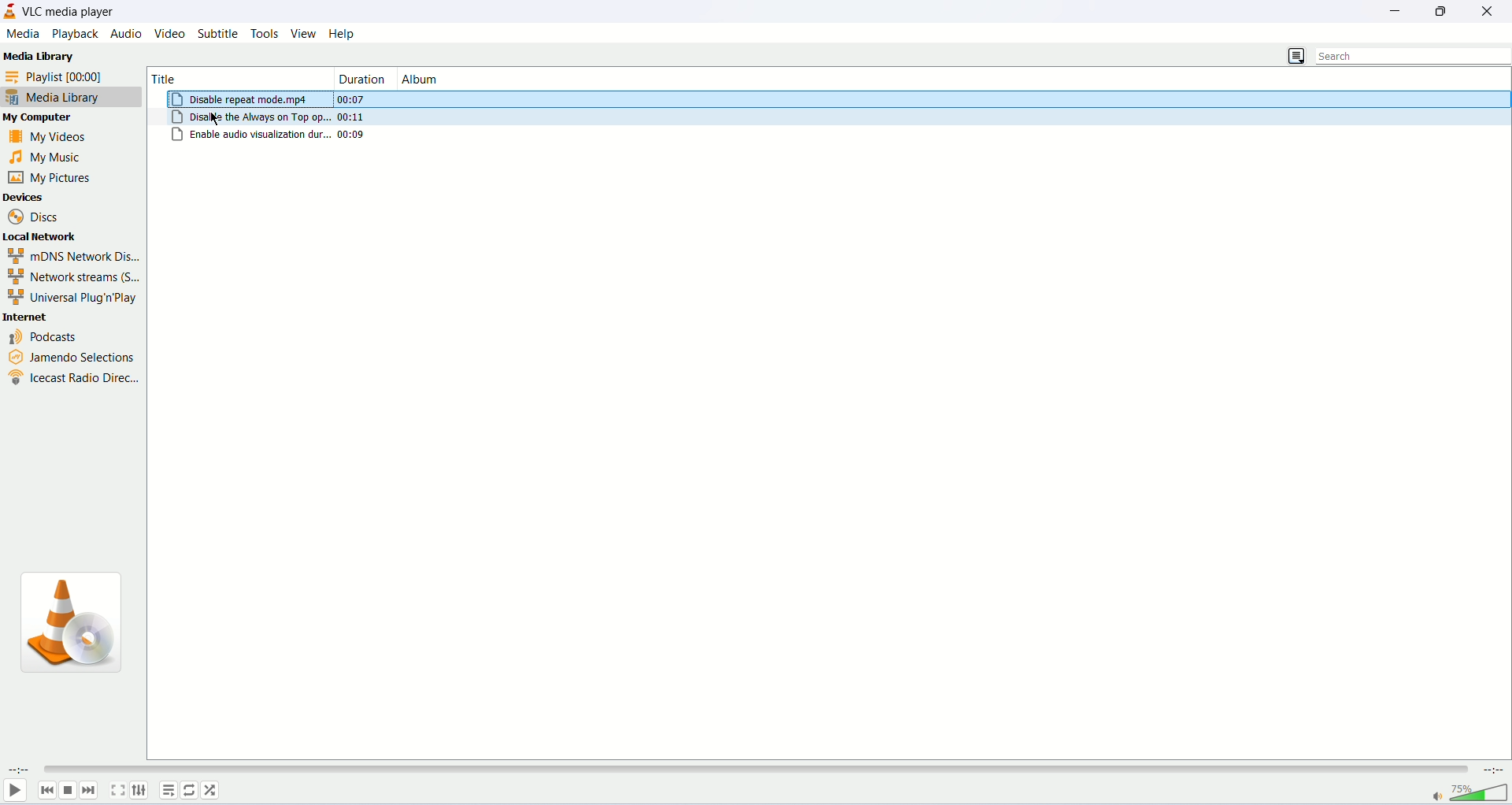 Image resolution: width=1512 pixels, height=805 pixels. I want to click on icecast radio, so click(72, 377).